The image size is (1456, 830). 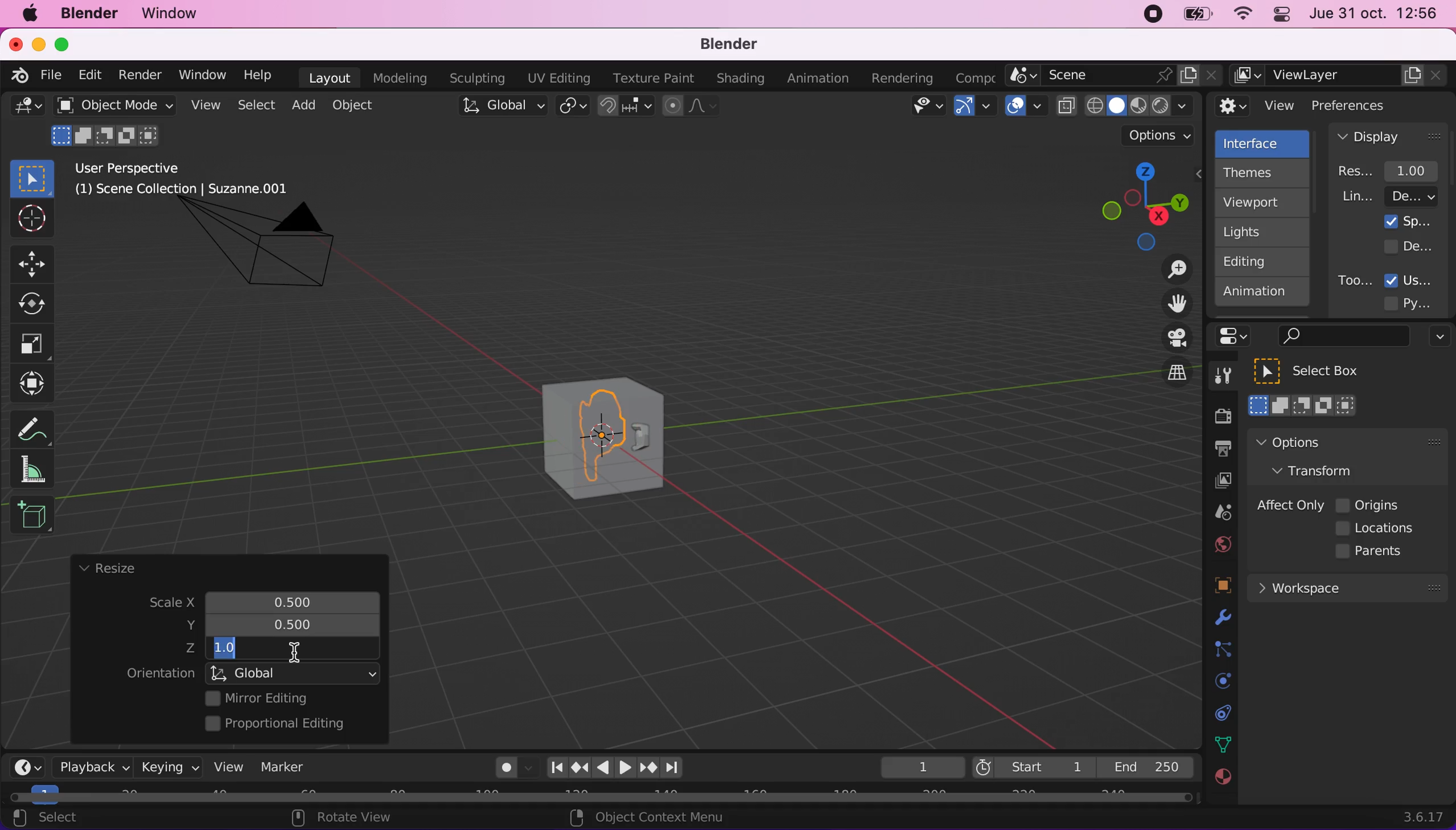 I want to click on uv editing, so click(x=558, y=78).